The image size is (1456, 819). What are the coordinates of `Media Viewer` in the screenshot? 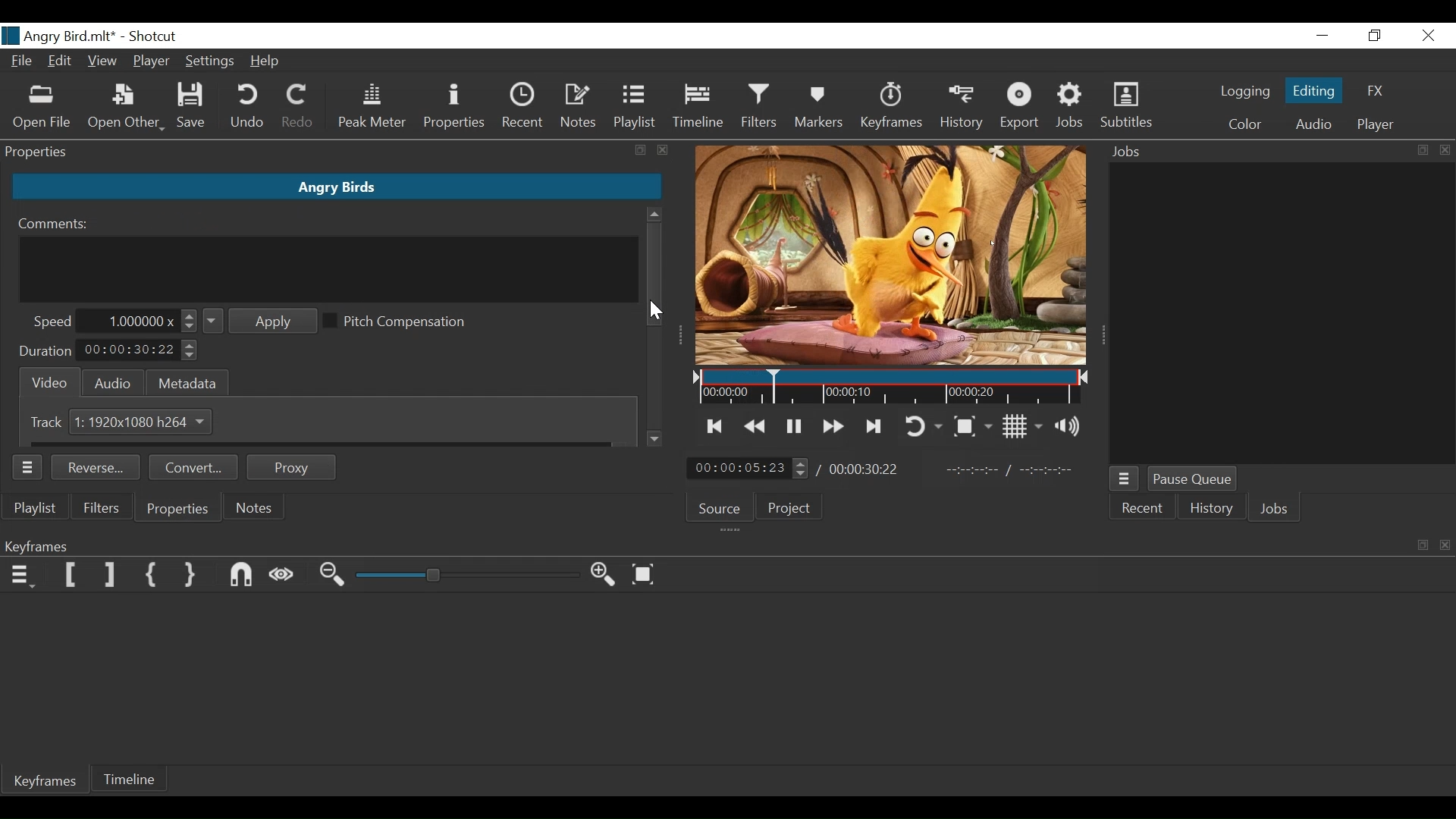 It's located at (893, 256).